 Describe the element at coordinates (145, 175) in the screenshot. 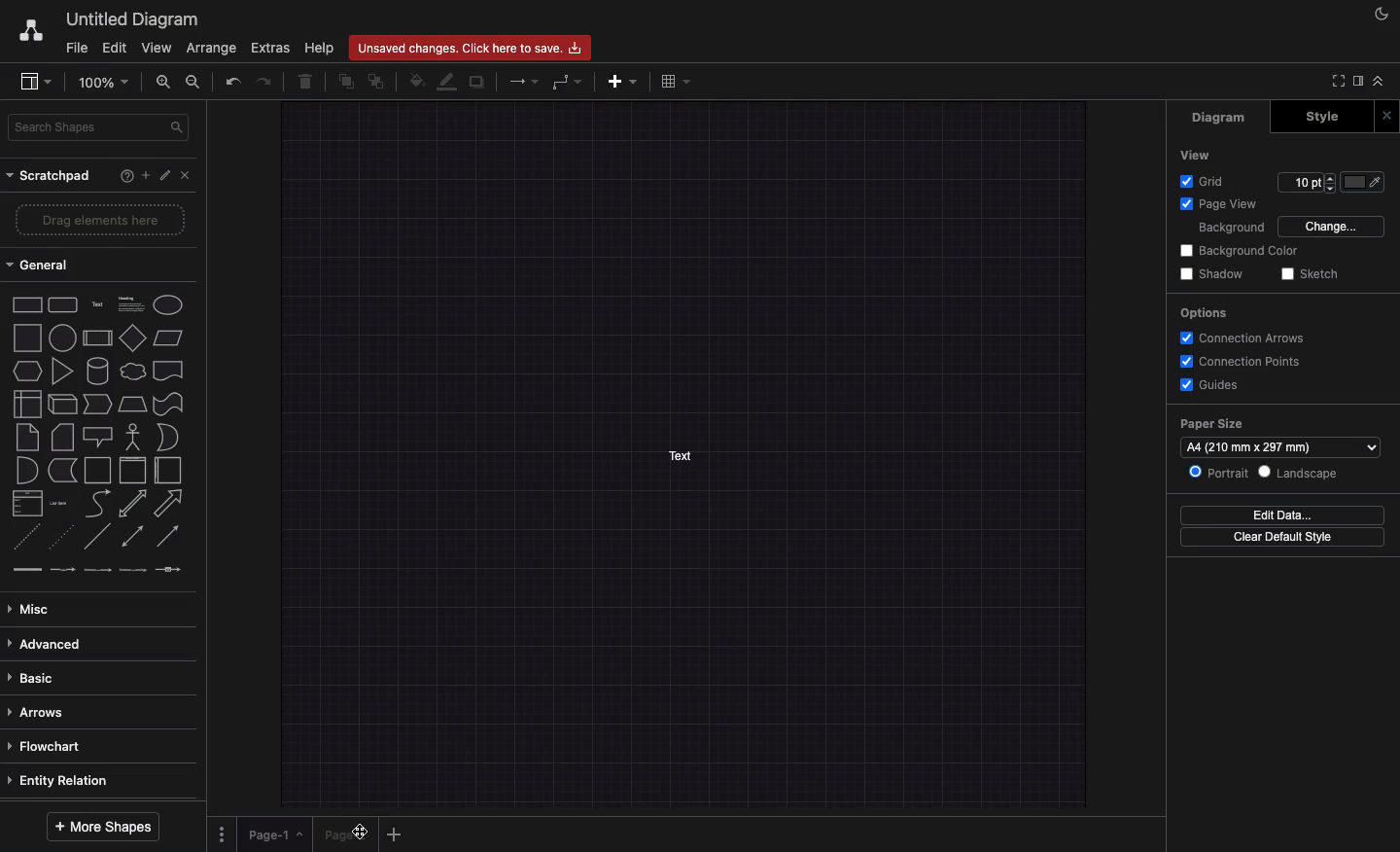

I see `Add` at that location.